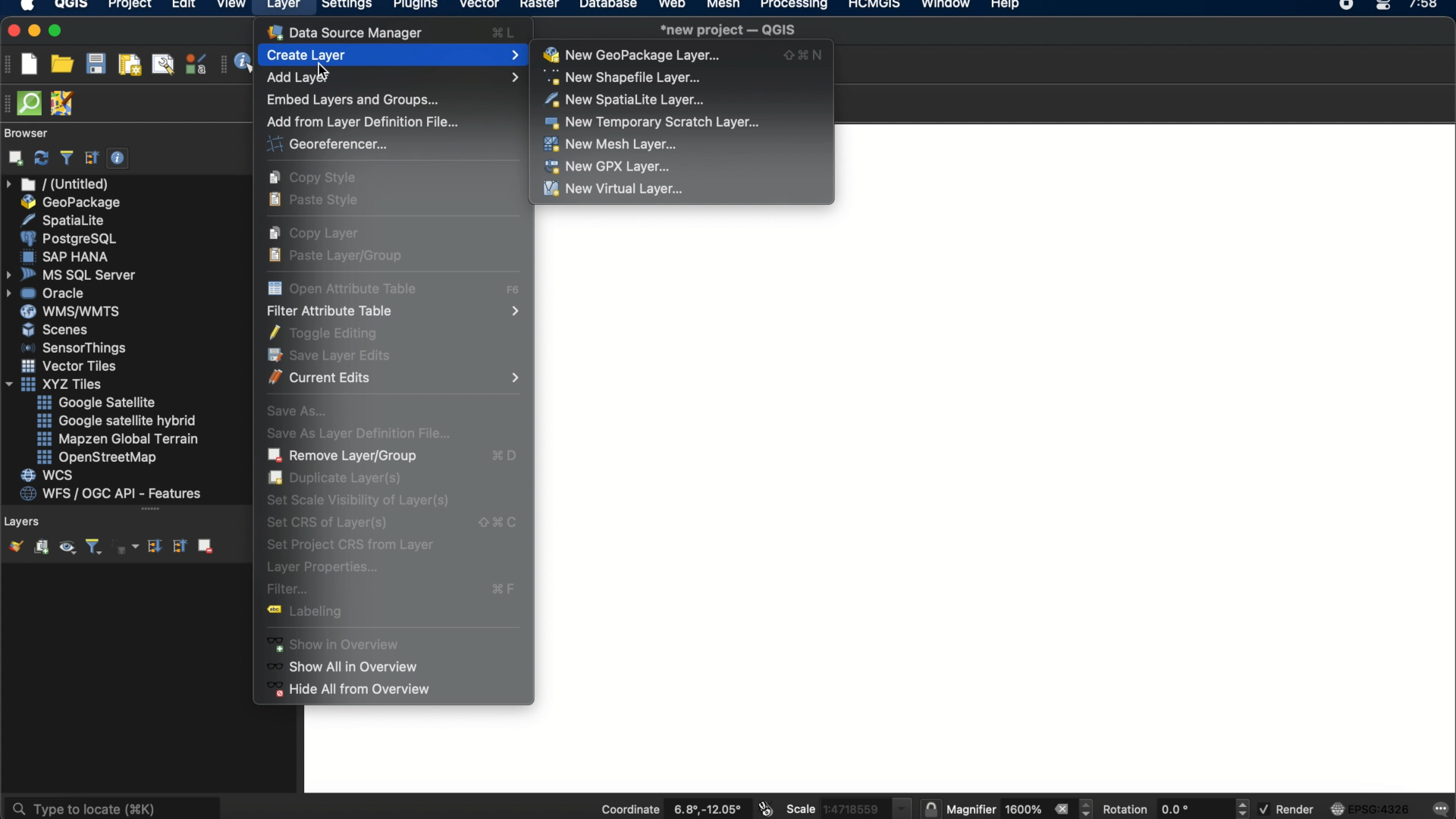 This screenshot has height=819, width=1456. I want to click on remove layer group, so click(204, 545).